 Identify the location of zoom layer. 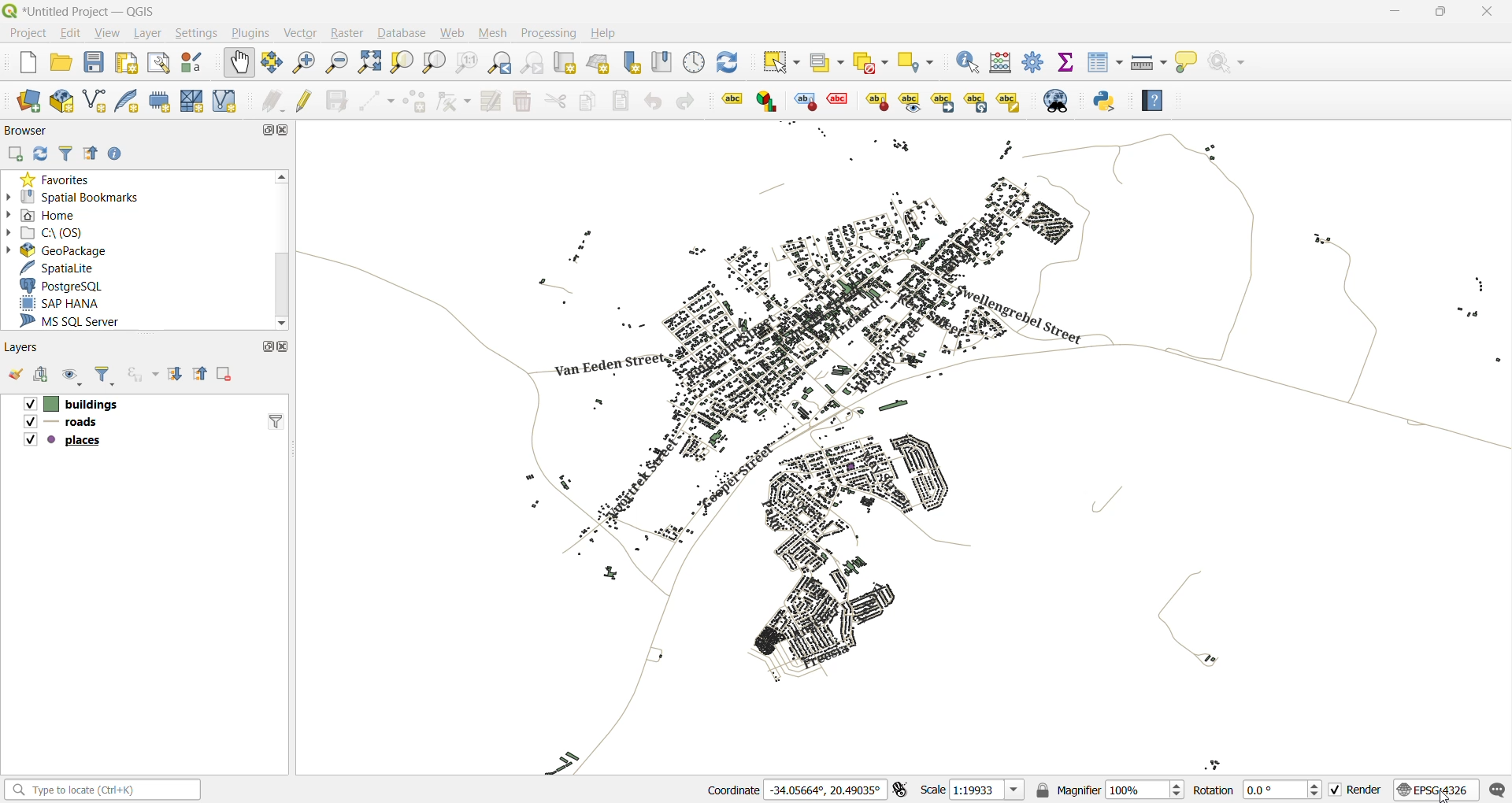
(431, 62).